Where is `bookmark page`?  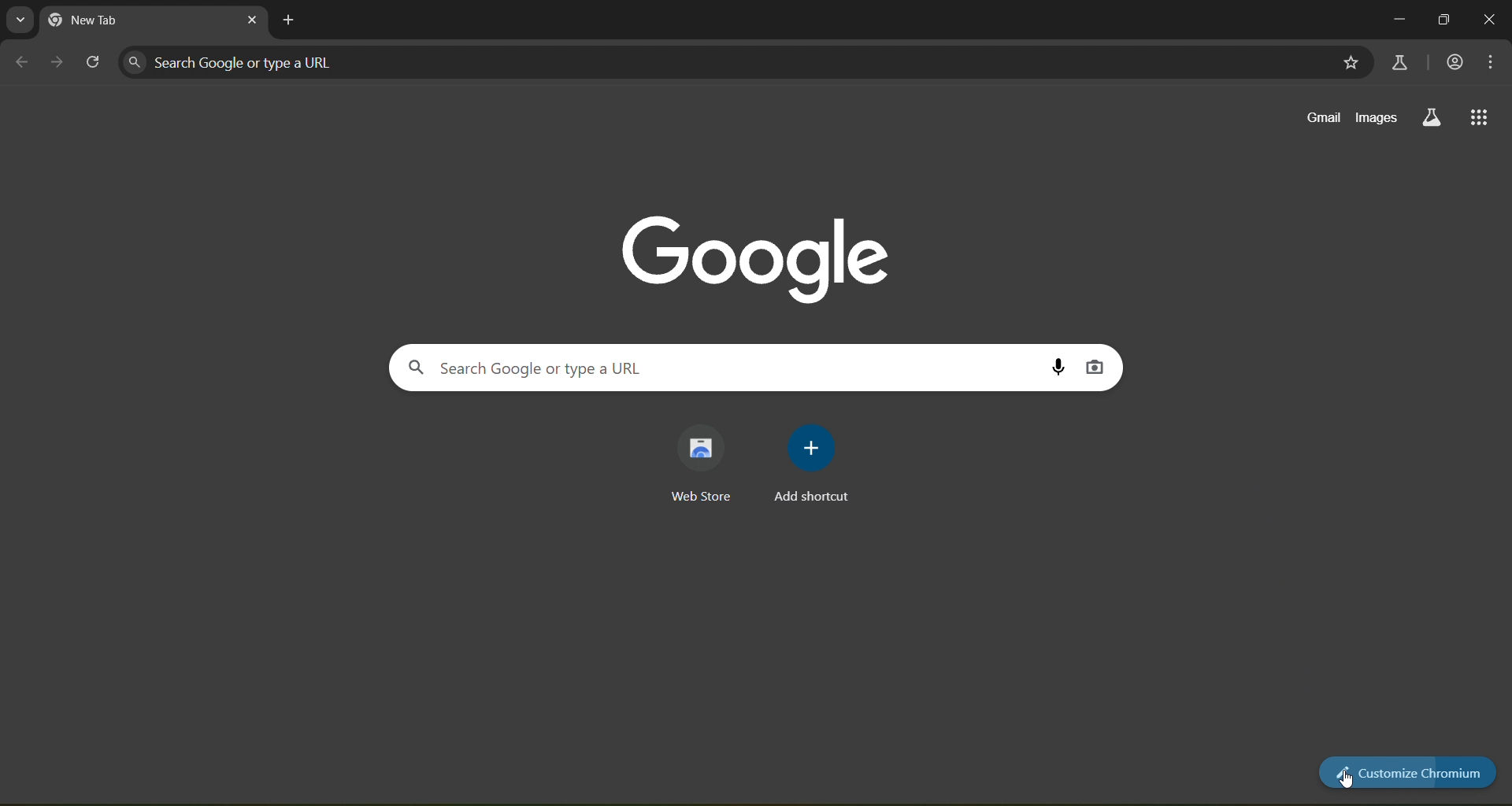
bookmark page is located at coordinates (1351, 63).